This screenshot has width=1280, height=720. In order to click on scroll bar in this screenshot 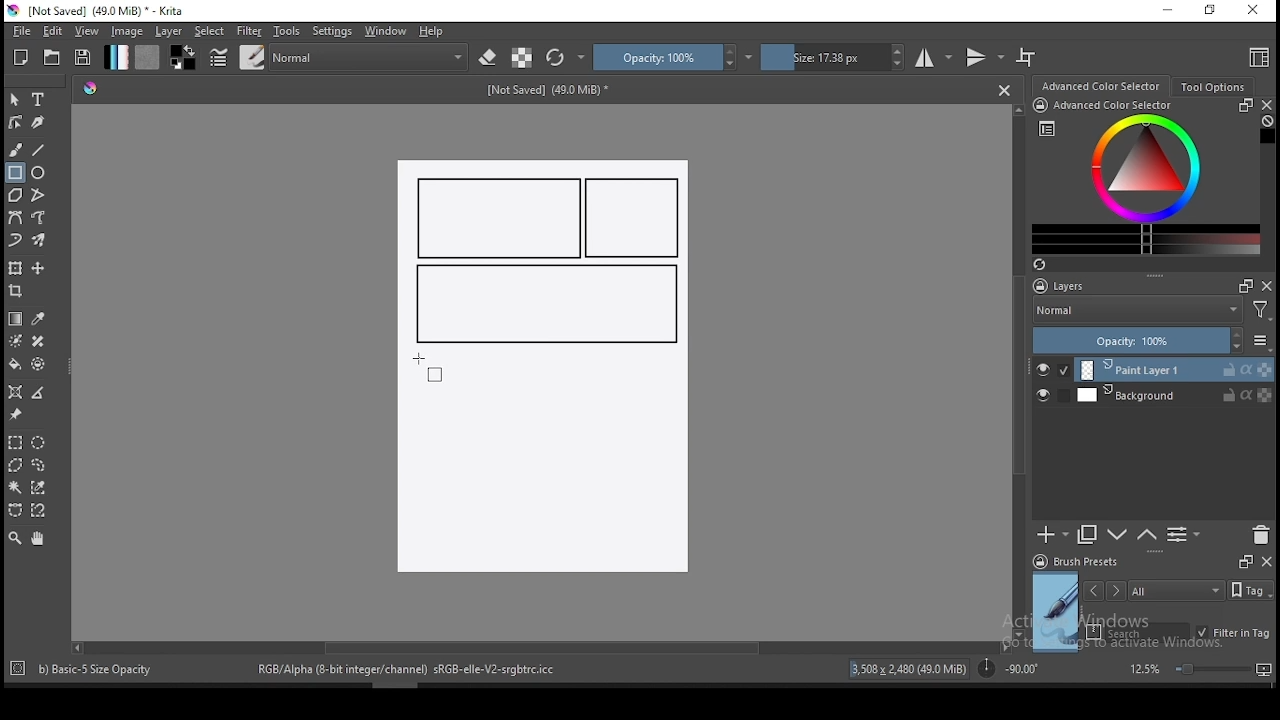, I will do `click(1020, 370)`.